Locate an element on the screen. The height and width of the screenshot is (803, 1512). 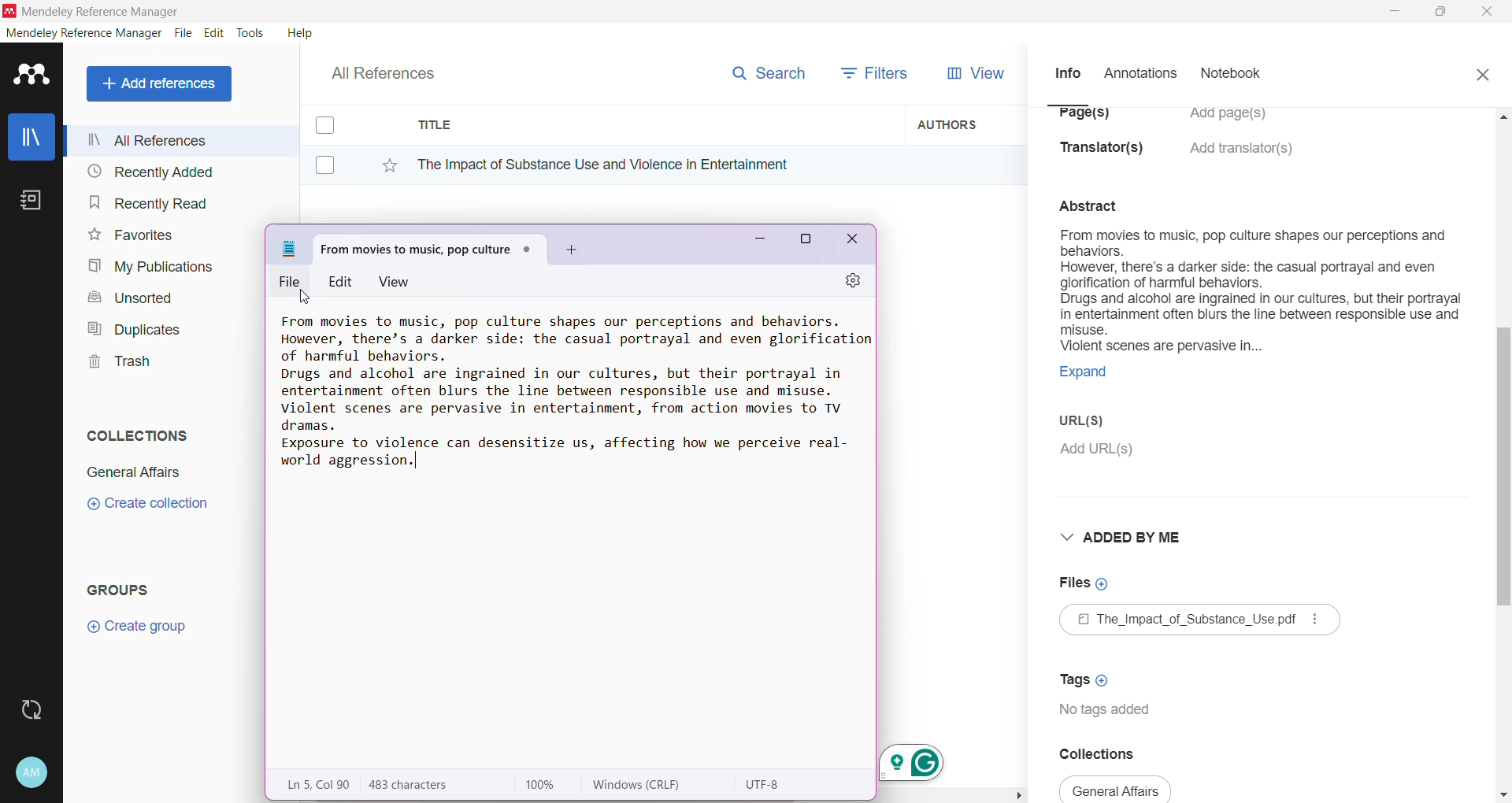
View is located at coordinates (398, 282).